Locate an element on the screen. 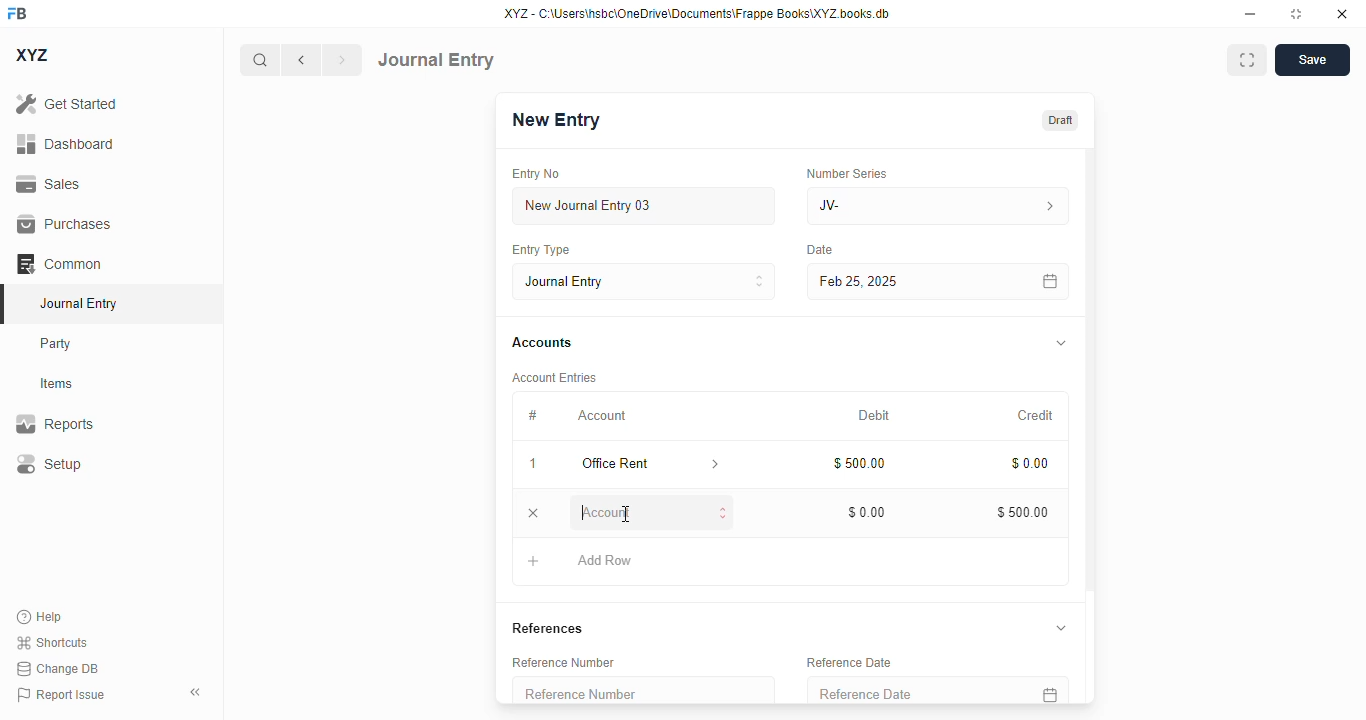 The height and width of the screenshot is (720, 1366). report issue is located at coordinates (61, 695).